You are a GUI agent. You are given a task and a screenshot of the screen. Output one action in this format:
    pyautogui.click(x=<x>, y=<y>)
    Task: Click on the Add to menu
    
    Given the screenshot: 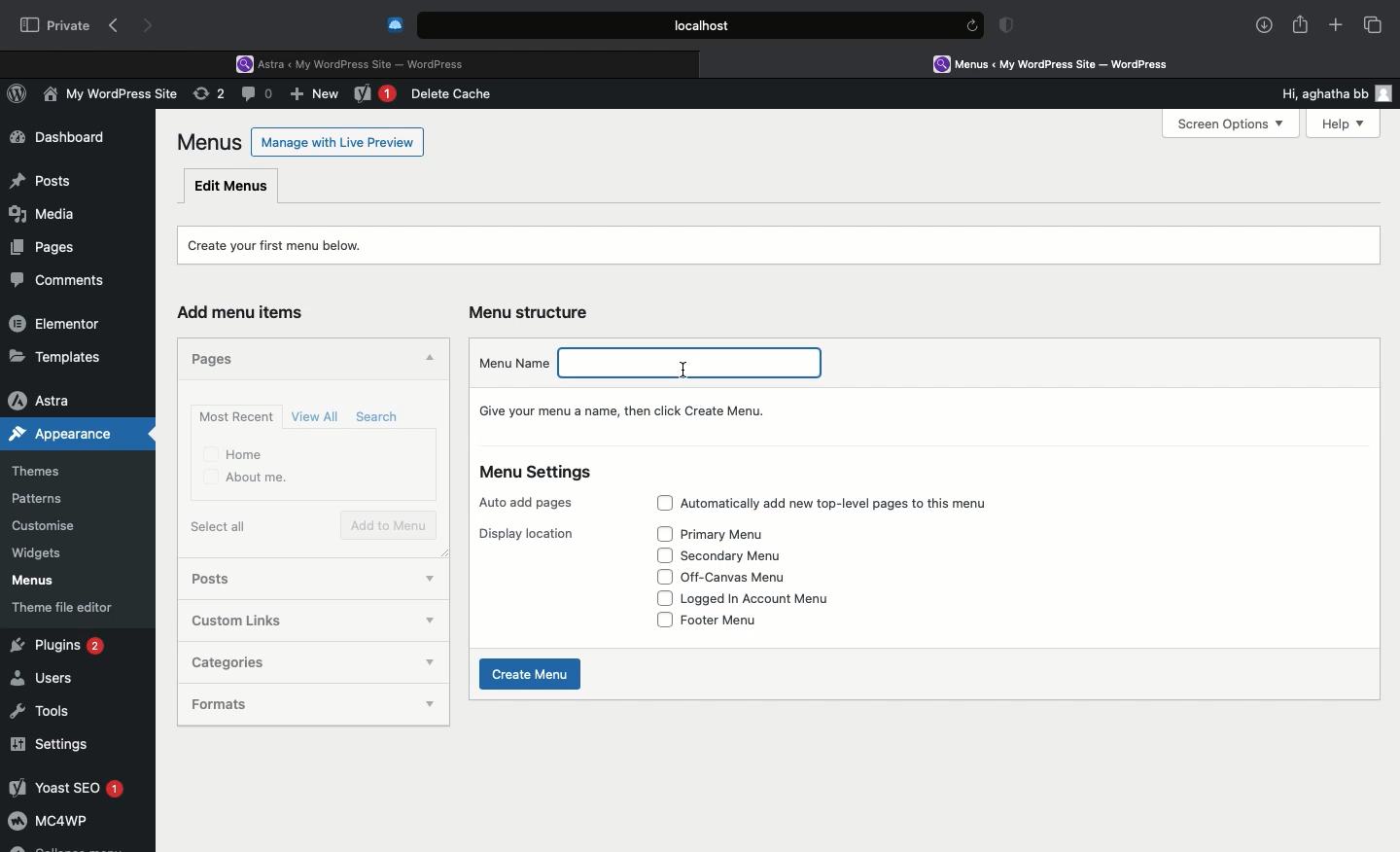 What is the action you would take?
    pyautogui.click(x=391, y=526)
    